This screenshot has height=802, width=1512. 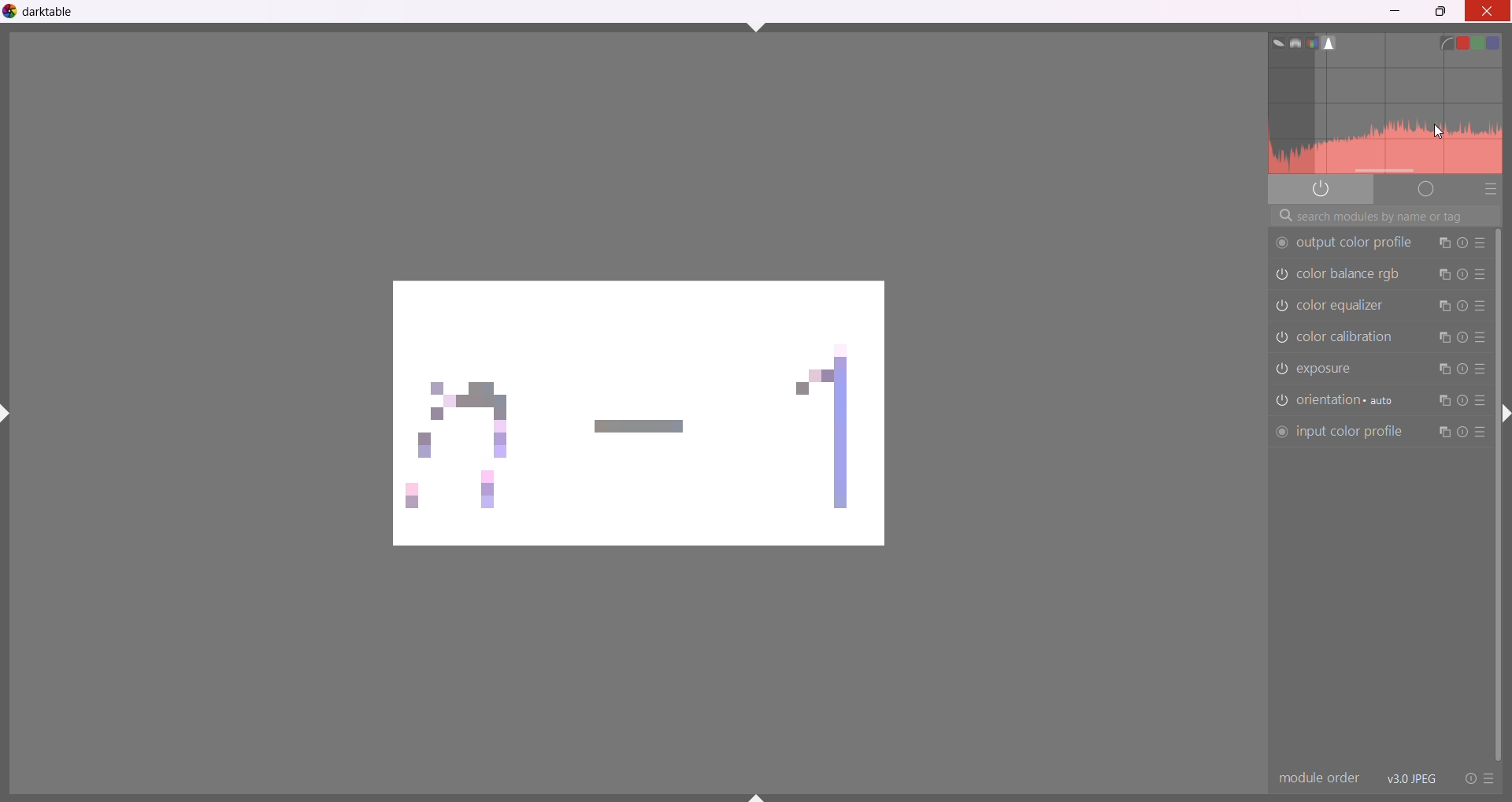 I want to click on search, so click(x=1382, y=217).